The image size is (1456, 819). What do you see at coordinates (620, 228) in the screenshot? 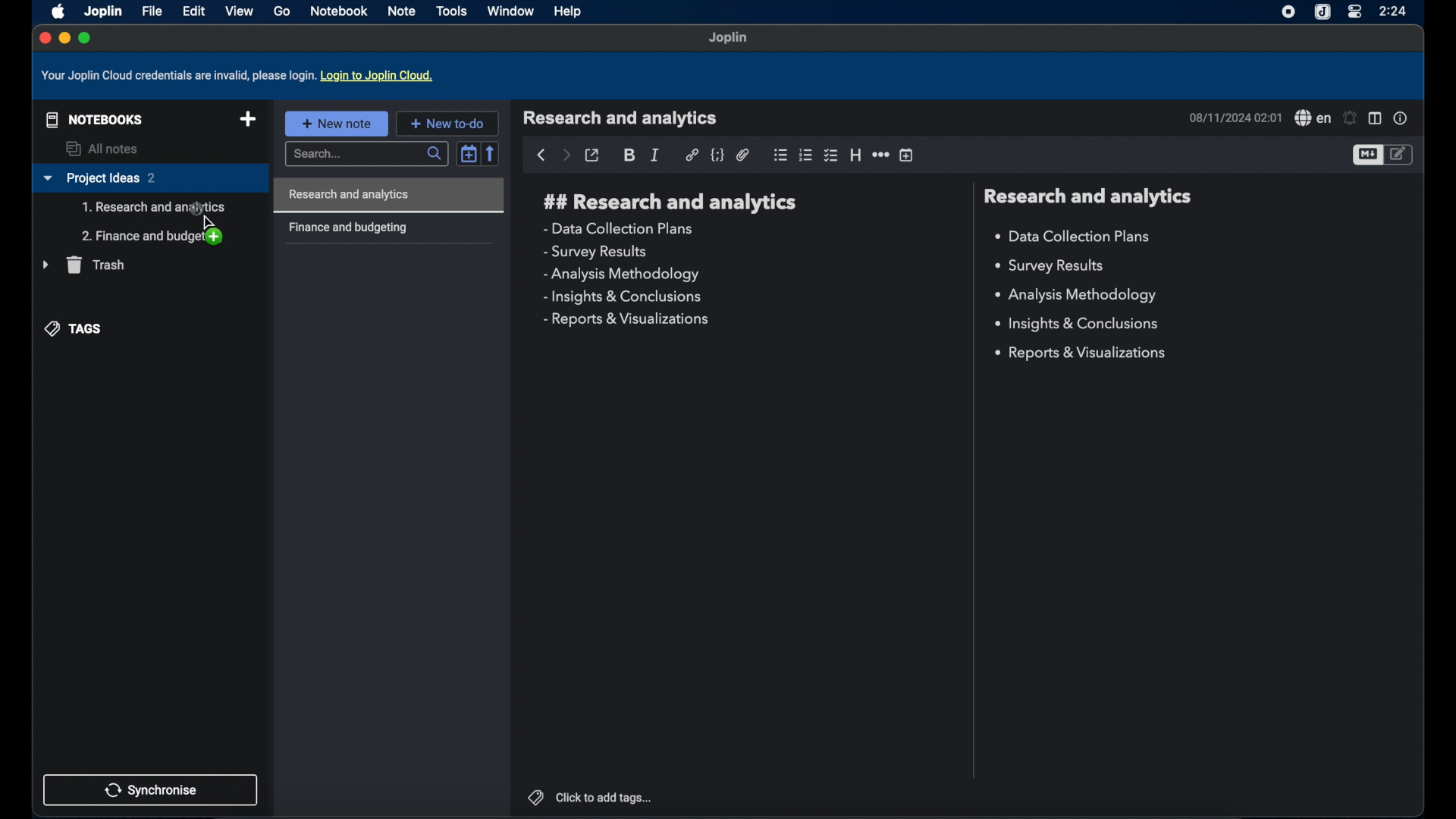
I see `data collection plans` at bounding box center [620, 228].